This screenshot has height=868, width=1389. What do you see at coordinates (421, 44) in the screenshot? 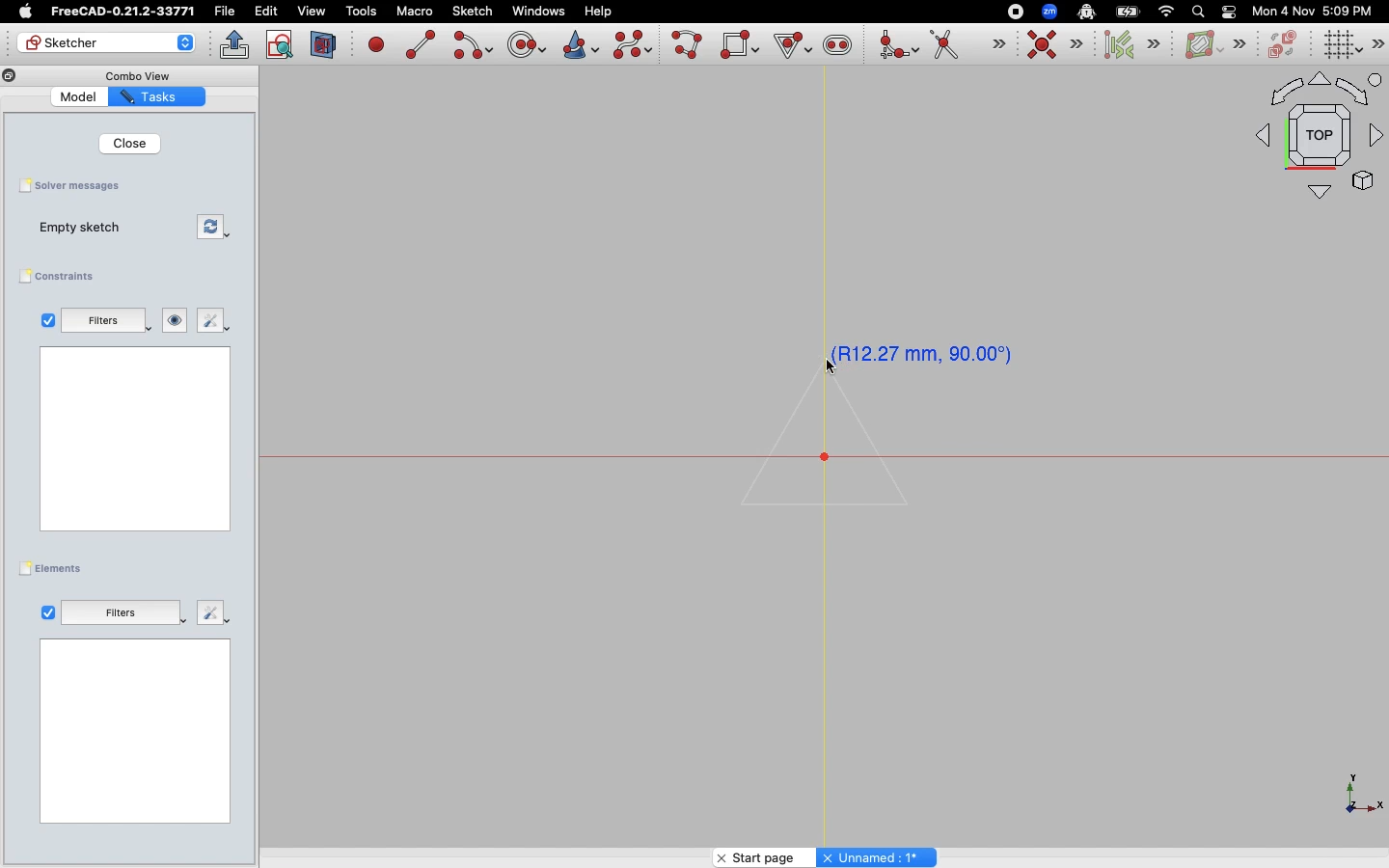
I see `Create line` at bounding box center [421, 44].